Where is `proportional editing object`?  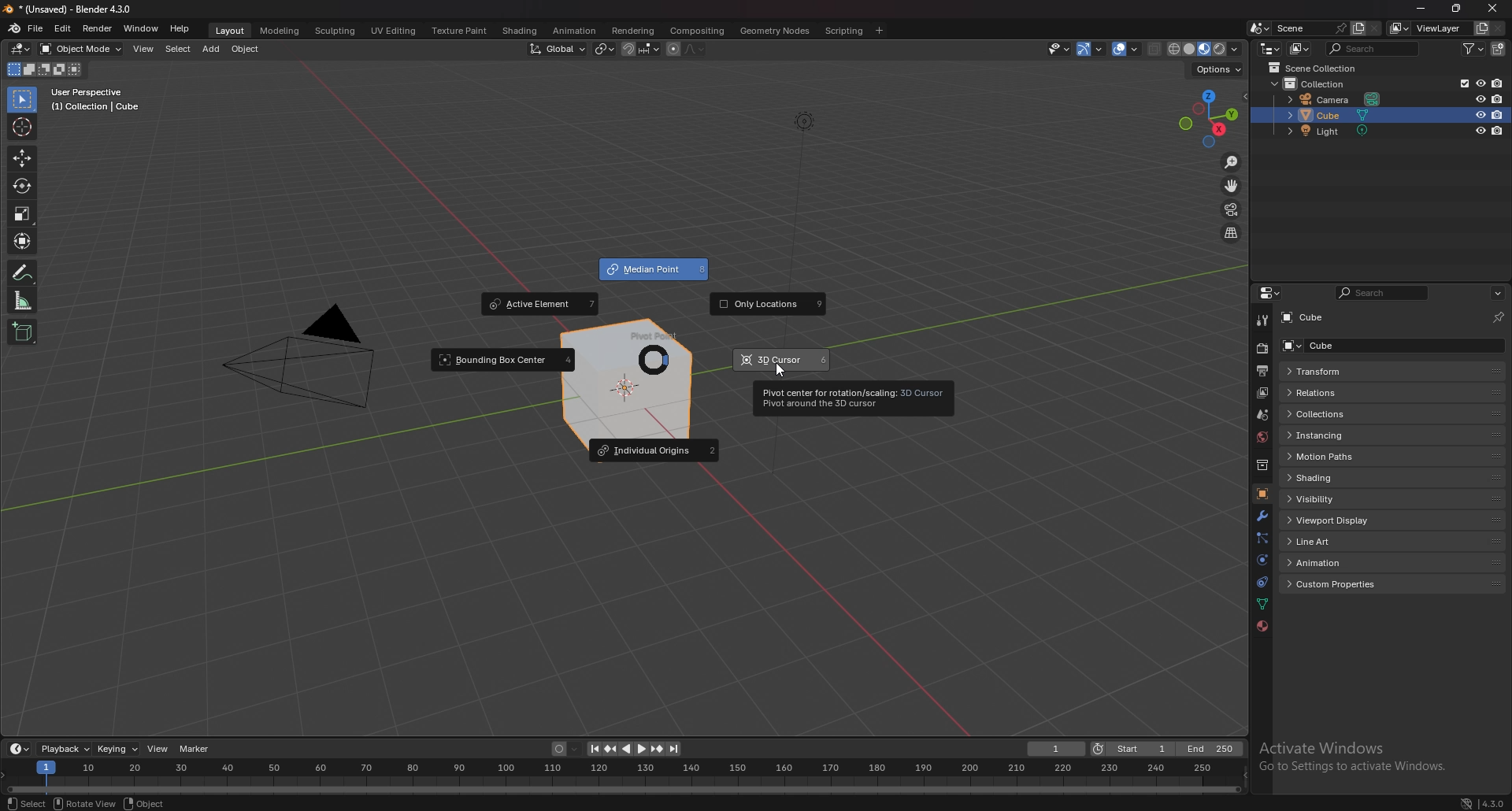 proportional editing object is located at coordinates (674, 50).